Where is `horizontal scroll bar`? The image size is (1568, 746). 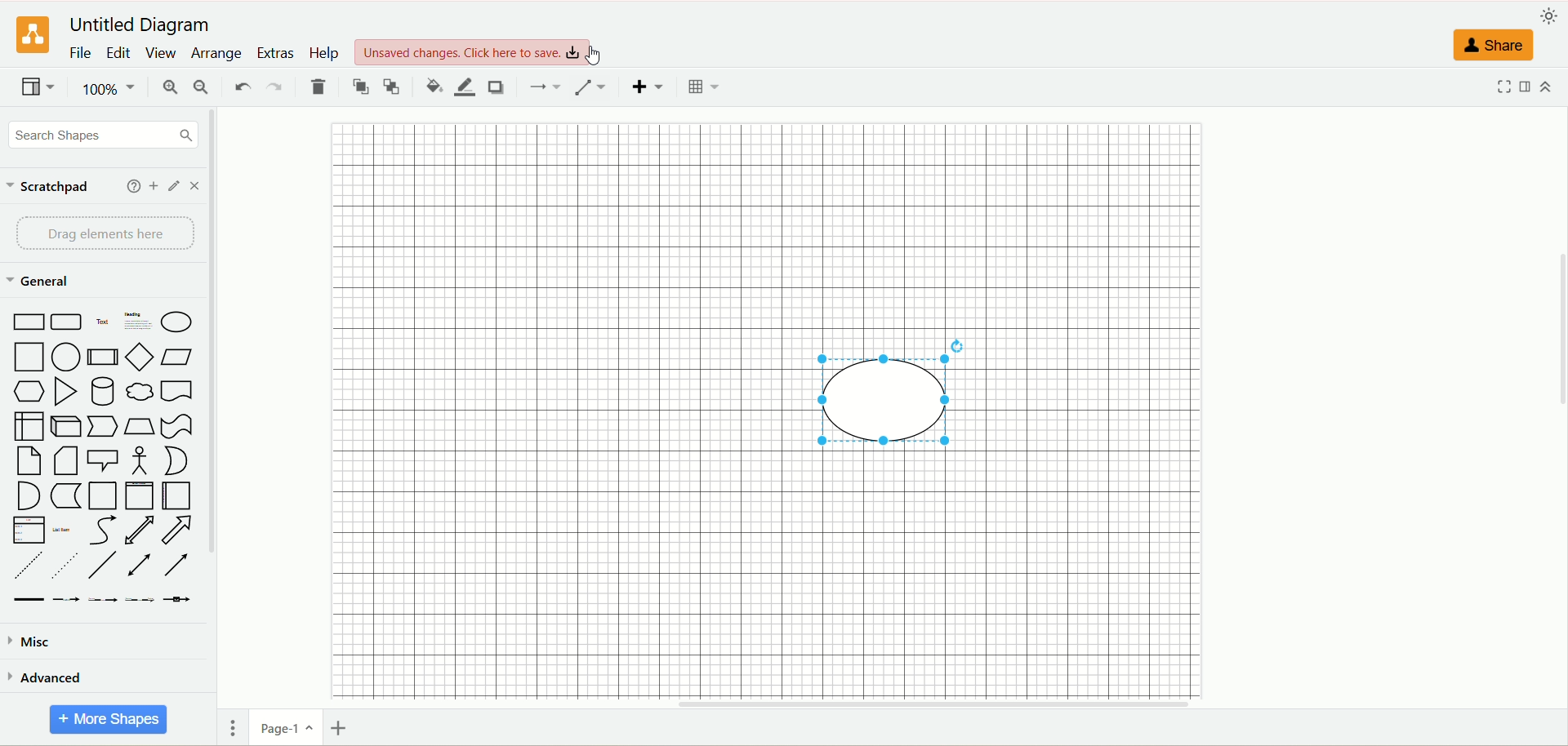 horizontal scroll bar is located at coordinates (899, 704).